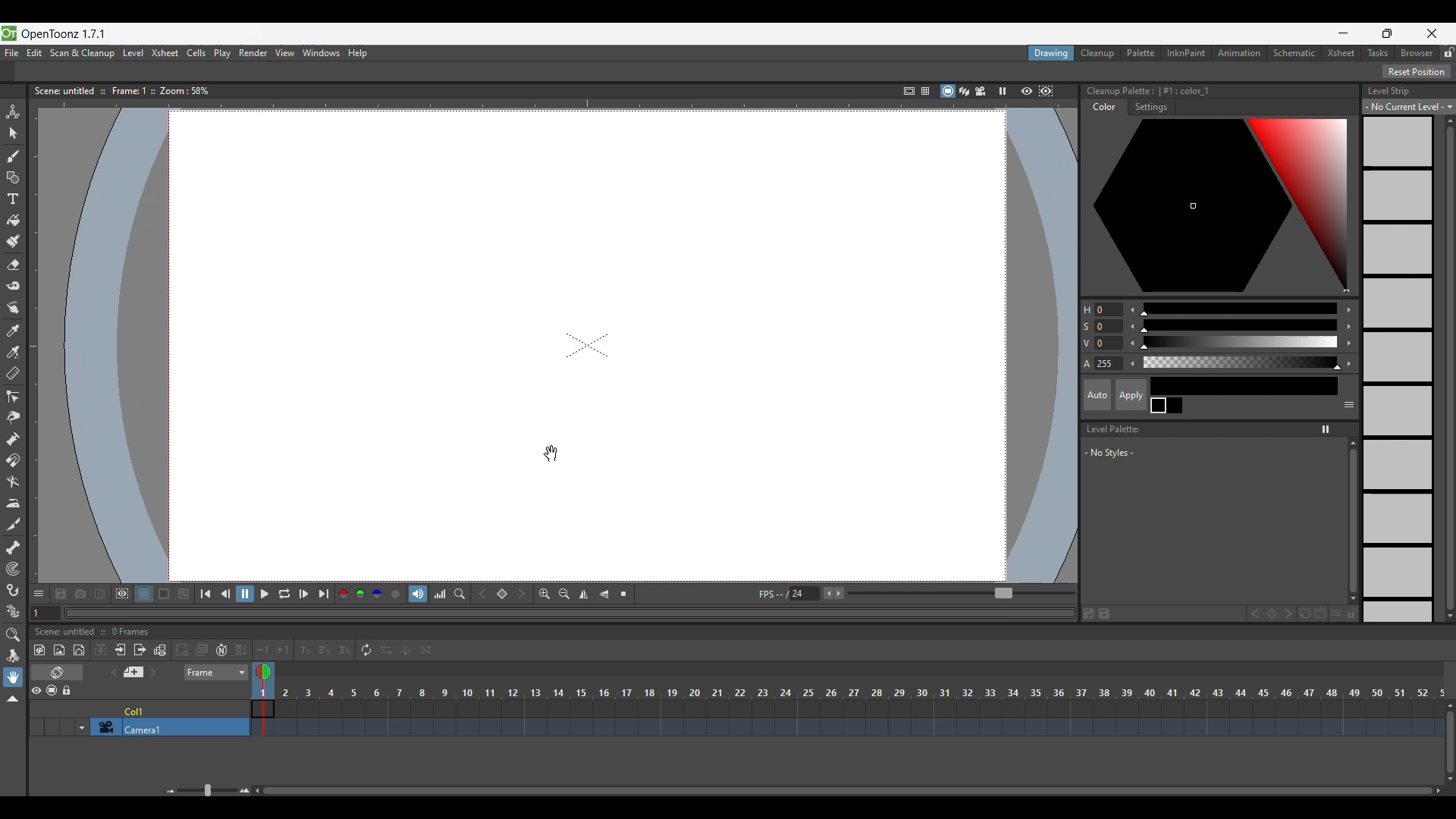 This screenshot has height=819, width=1456. I want to click on , so click(1343, 33).